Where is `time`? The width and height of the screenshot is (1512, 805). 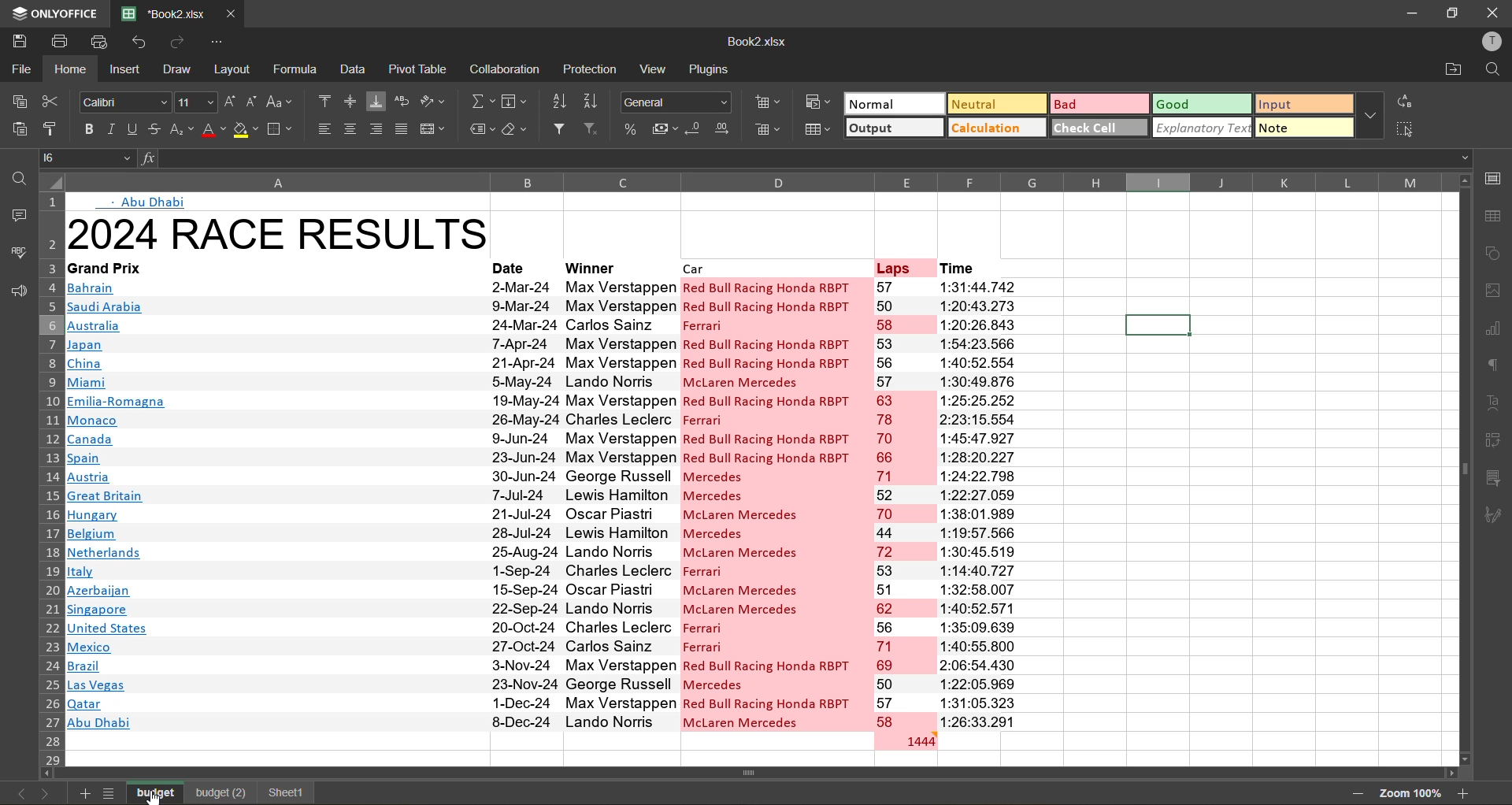 time is located at coordinates (980, 504).